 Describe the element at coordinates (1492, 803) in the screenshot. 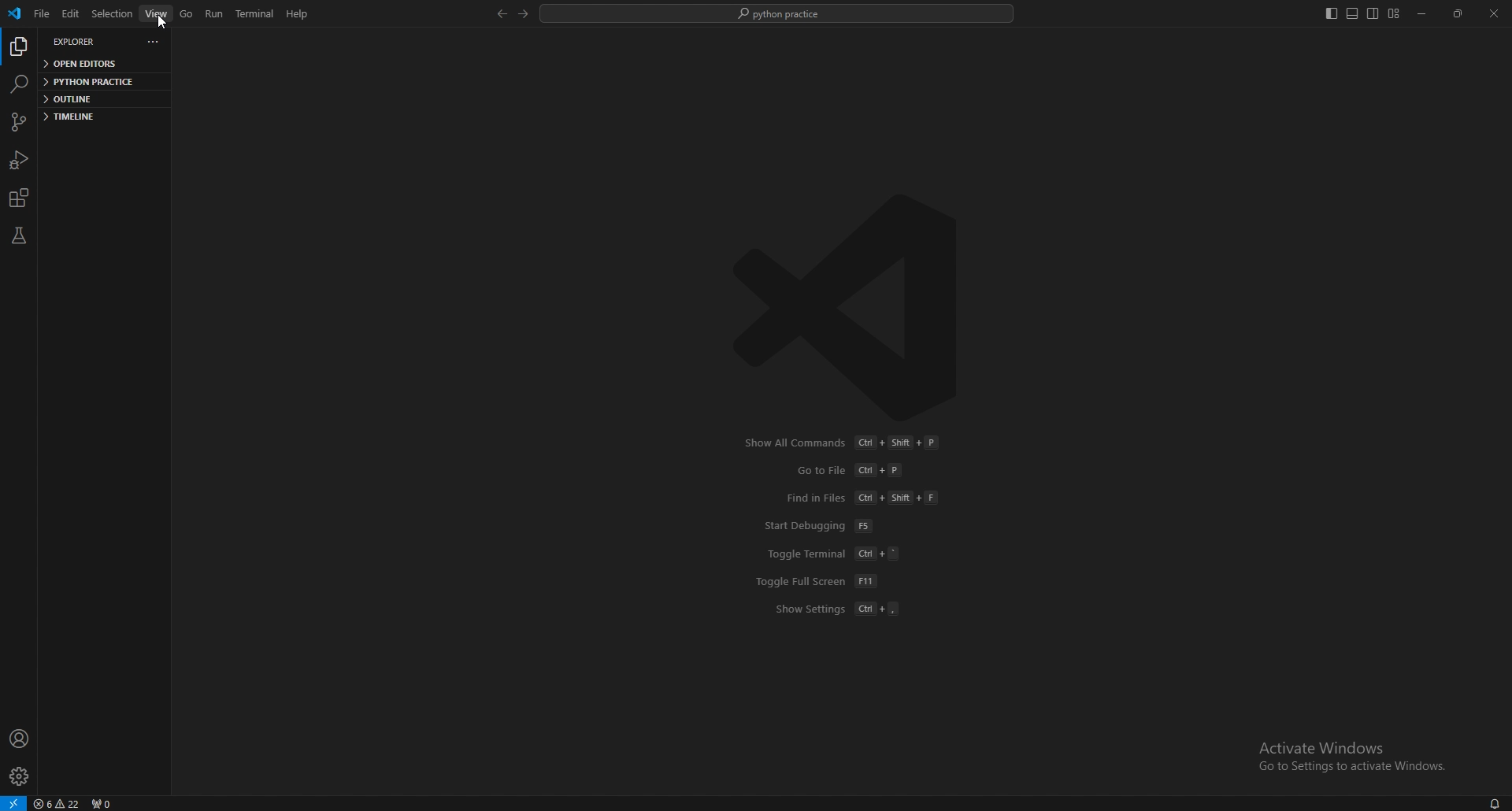

I see `notifications` at that location.